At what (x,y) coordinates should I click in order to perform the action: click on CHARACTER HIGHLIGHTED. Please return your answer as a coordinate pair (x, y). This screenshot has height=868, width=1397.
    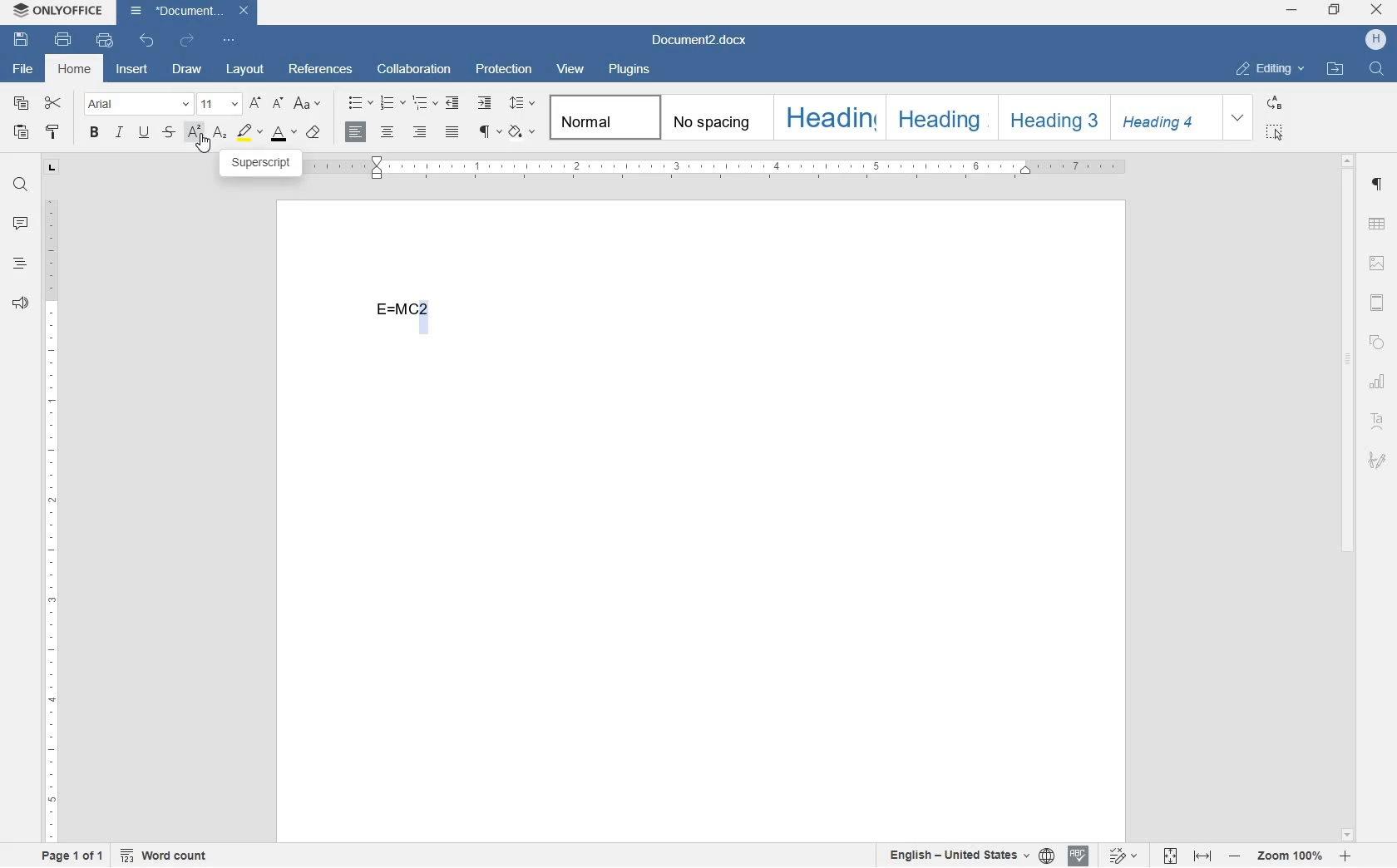
    Looking at the image, I should click on (426, 315).